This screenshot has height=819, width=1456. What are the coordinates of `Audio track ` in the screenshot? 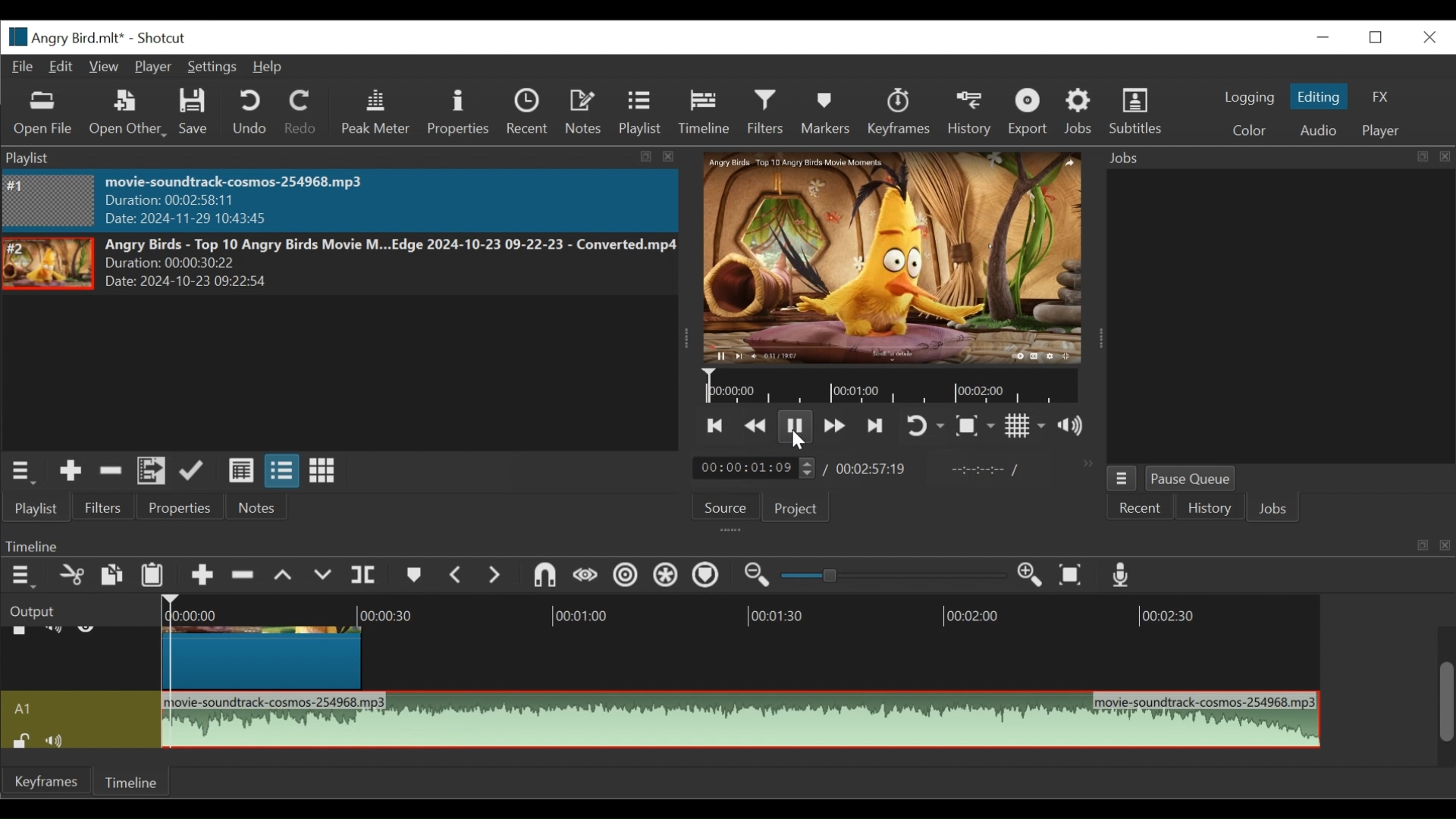 It's located at (81, 708).